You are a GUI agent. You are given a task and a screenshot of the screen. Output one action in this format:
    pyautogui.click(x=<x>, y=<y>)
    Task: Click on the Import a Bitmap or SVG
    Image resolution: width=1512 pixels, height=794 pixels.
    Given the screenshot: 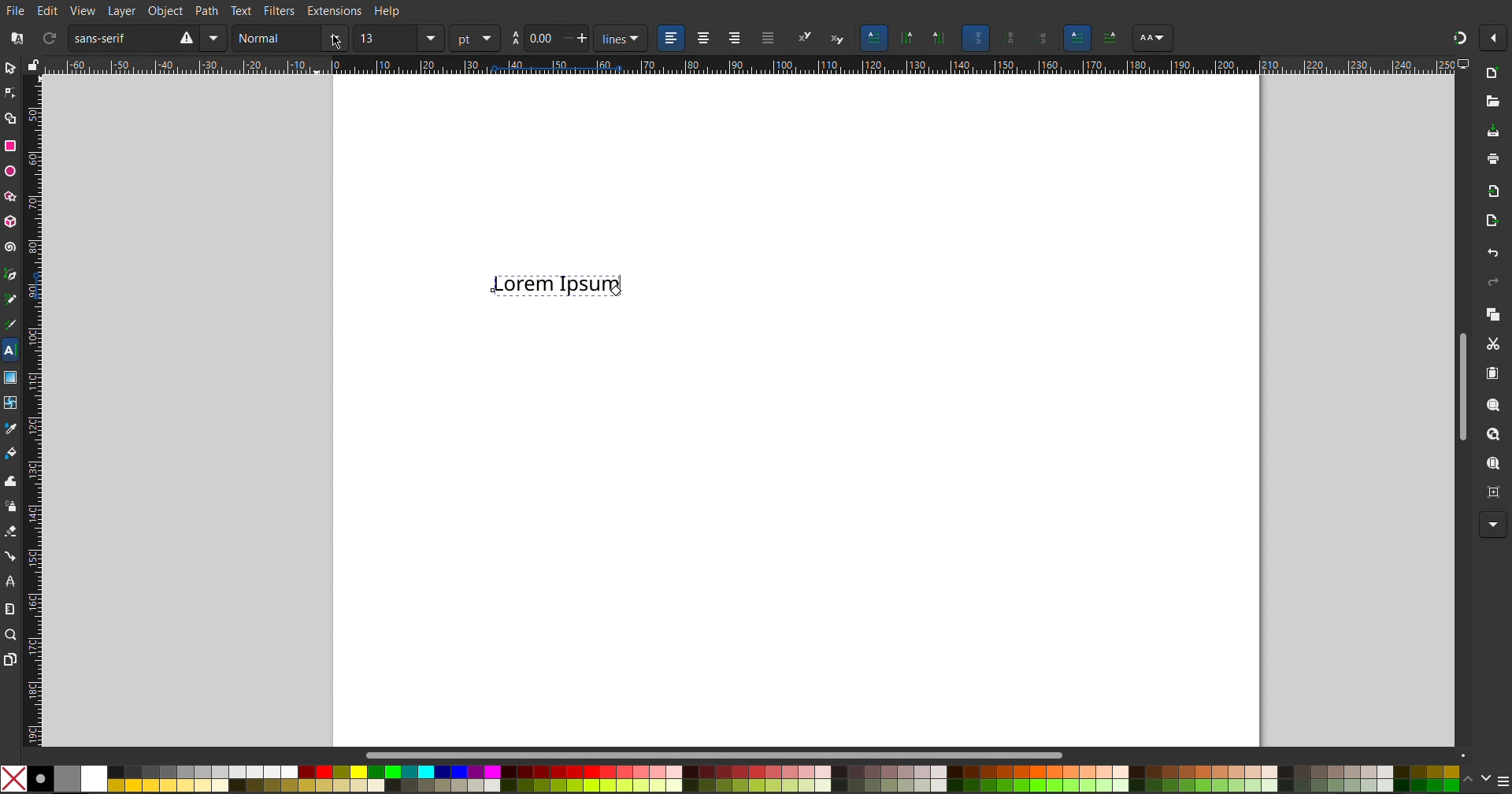 What is the action you would take?
    pyautogui.click(x=1490, y=191)
    